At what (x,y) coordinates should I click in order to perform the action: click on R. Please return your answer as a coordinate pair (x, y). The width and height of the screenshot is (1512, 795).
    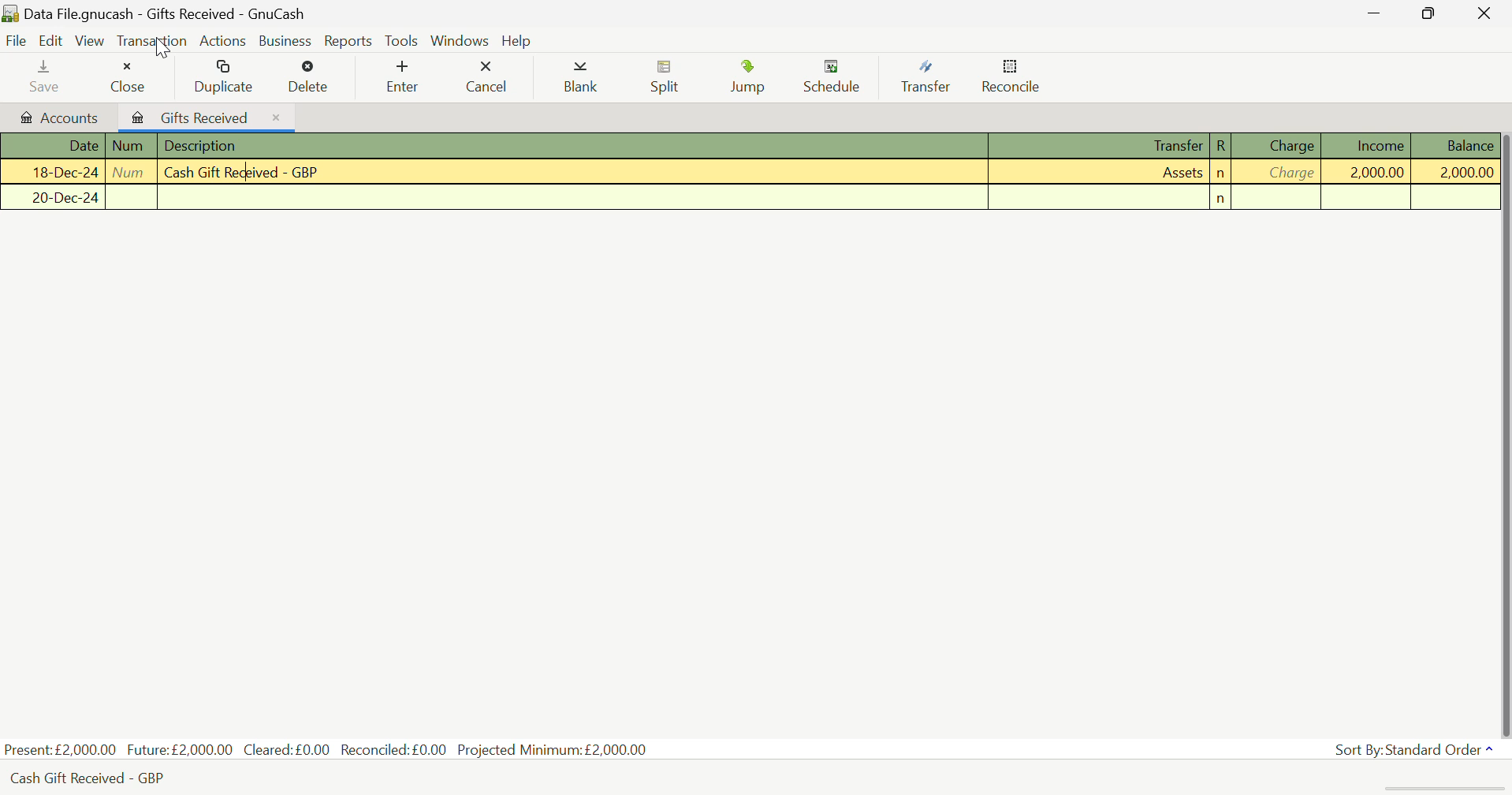
    Looking at the image, I should click on (1220, 146).